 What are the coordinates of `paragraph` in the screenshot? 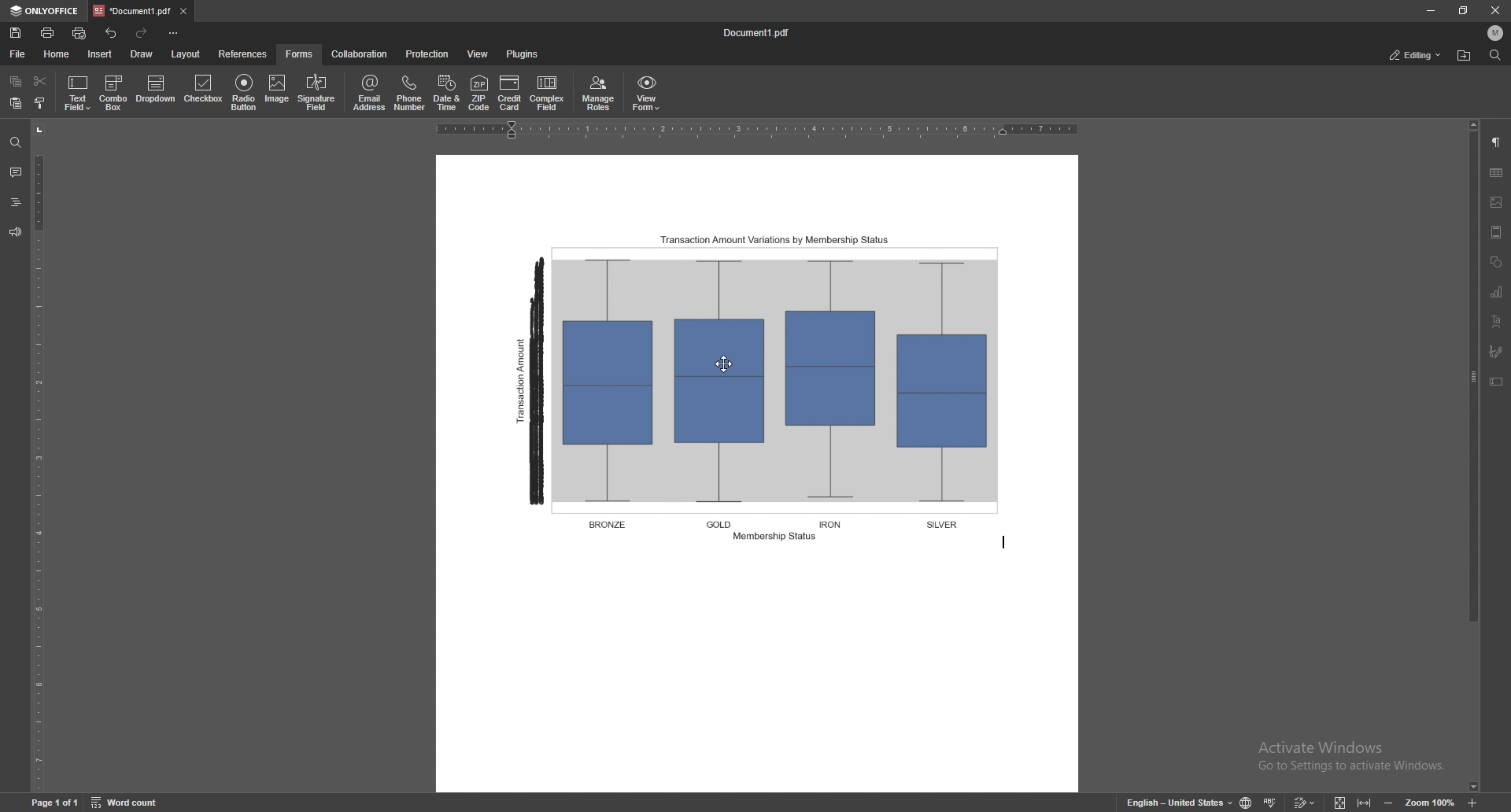 It's located at (1496, 142).